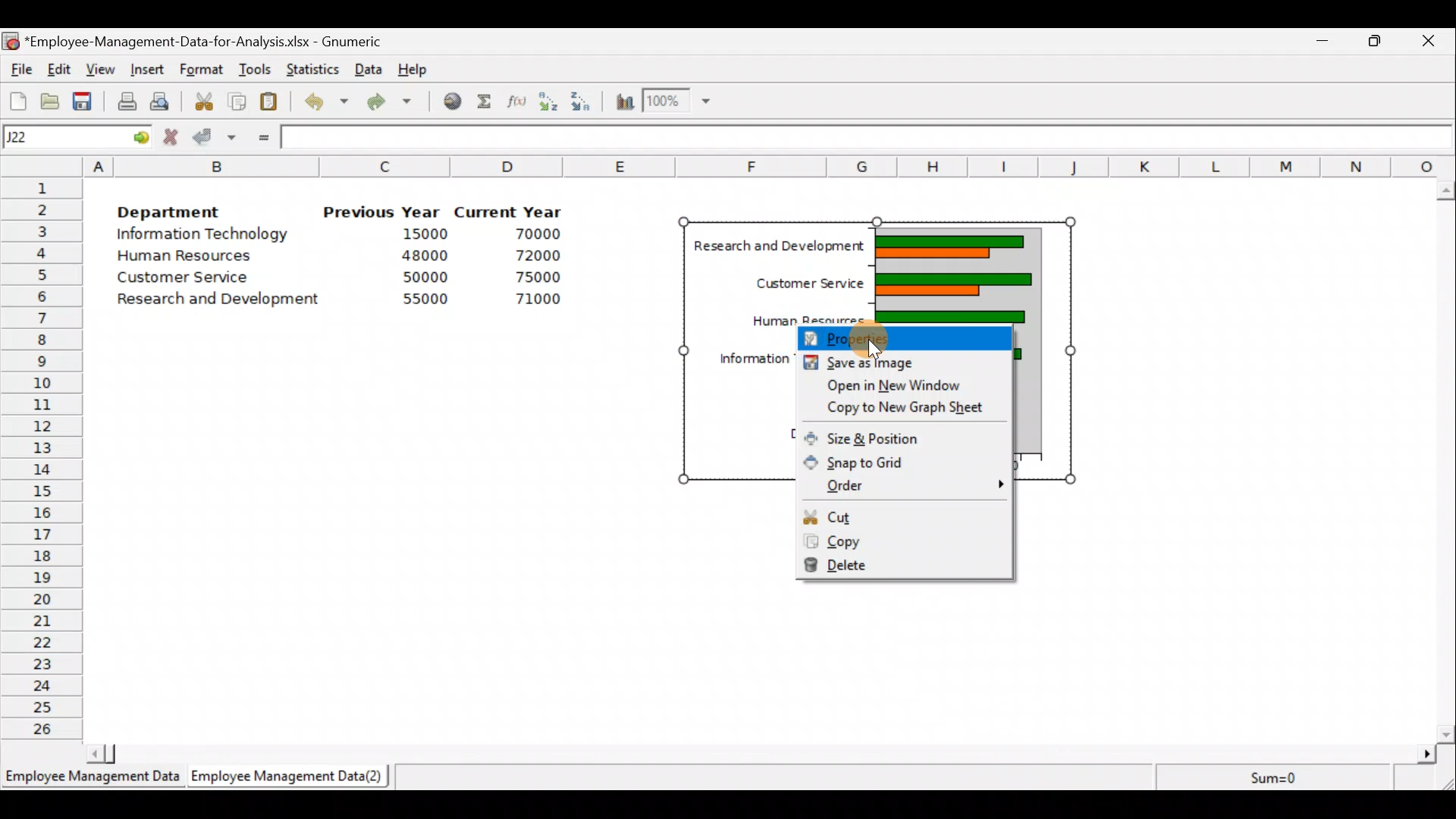 This screenshot has height=819, width=1456. I want to click on 55000, so click(423, 300).